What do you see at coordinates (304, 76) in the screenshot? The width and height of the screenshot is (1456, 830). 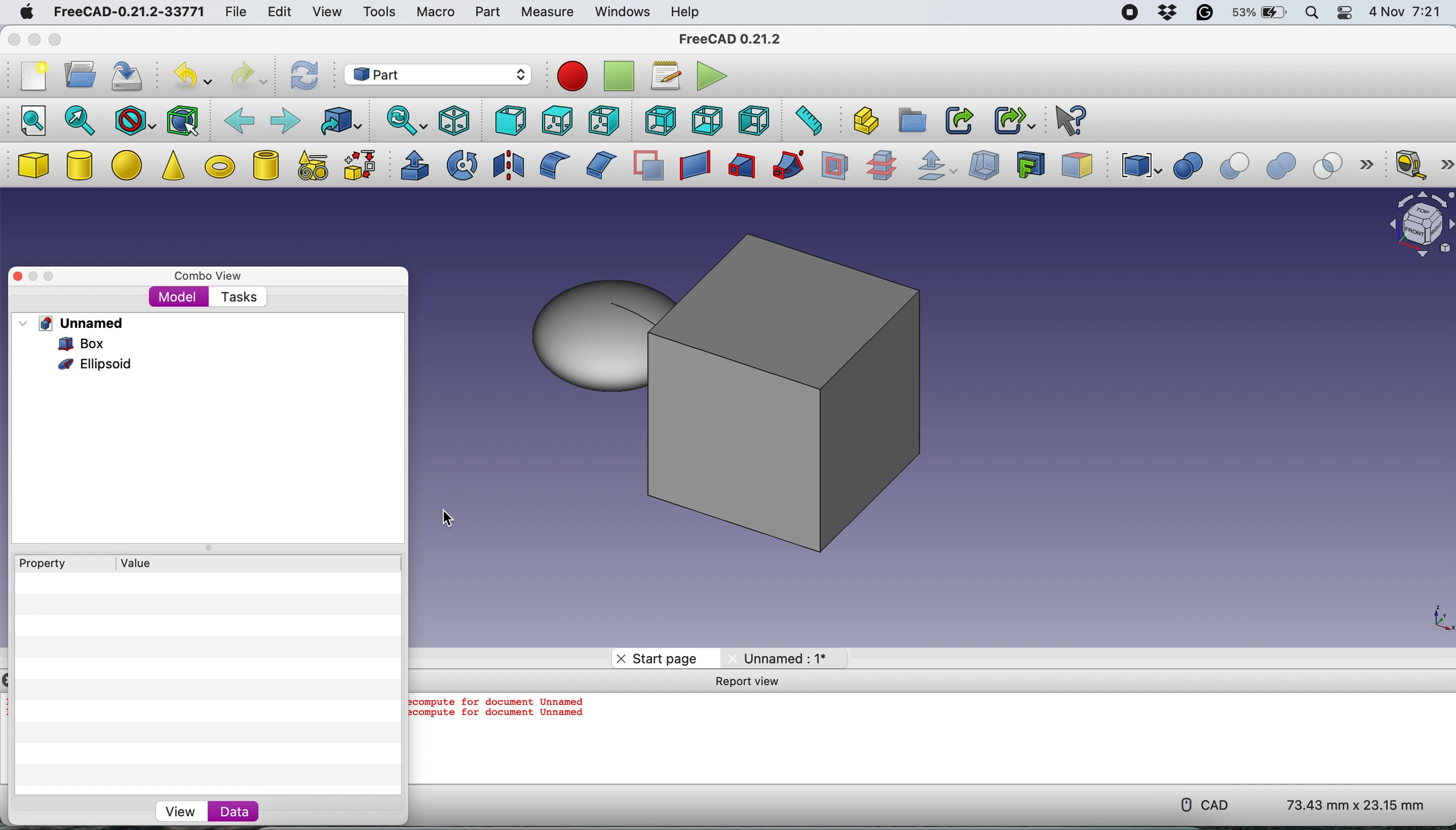 I see `refresh` at bounding box center [304, 76].